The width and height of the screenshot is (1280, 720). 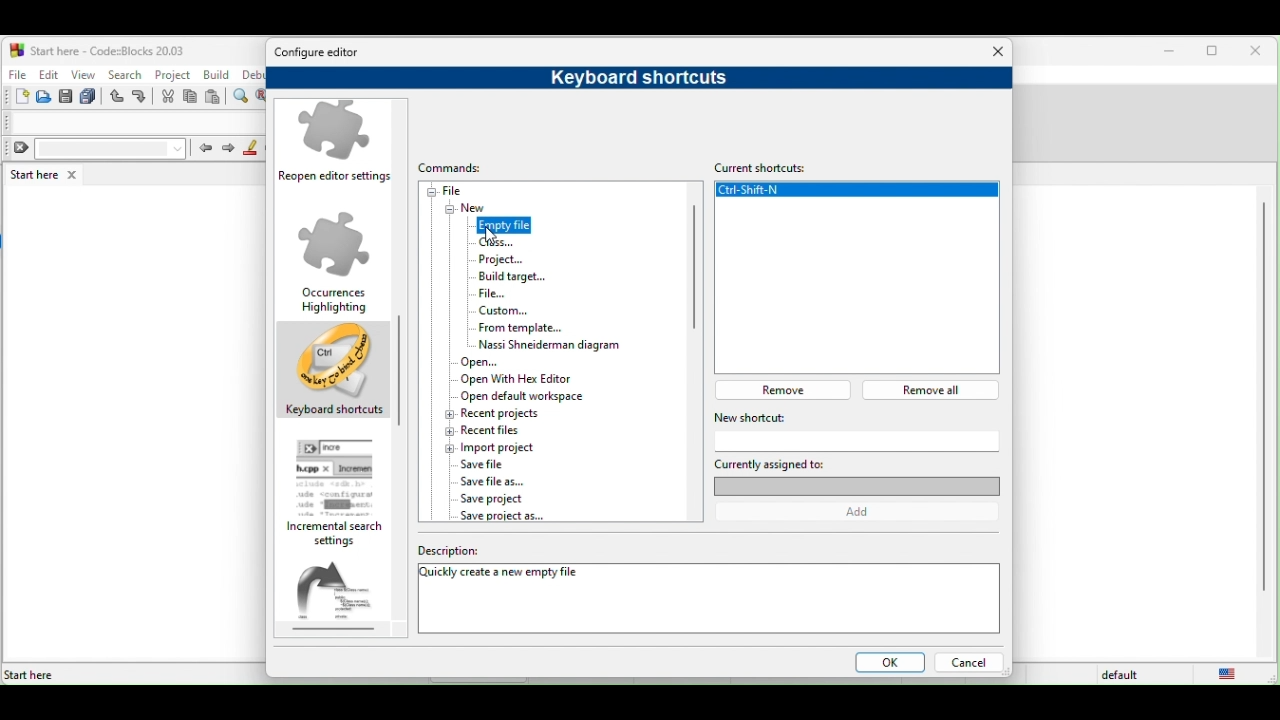 What do you see at coordinates (501, 516) in the screenshot?
I see `save project as` at bounding box center [501, 516].